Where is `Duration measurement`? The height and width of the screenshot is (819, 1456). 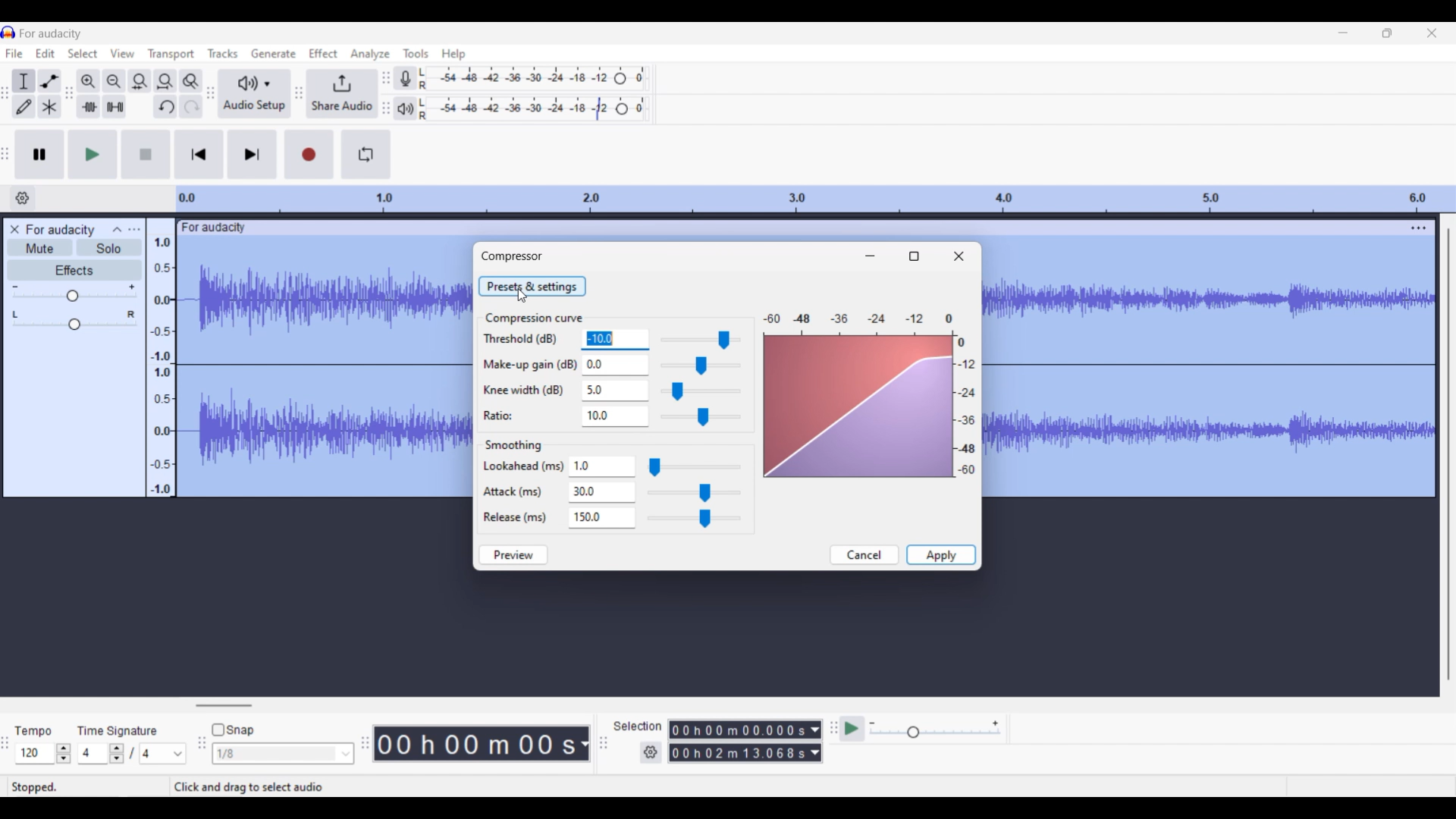
Duration measurement is located at coordinates (815, 741).